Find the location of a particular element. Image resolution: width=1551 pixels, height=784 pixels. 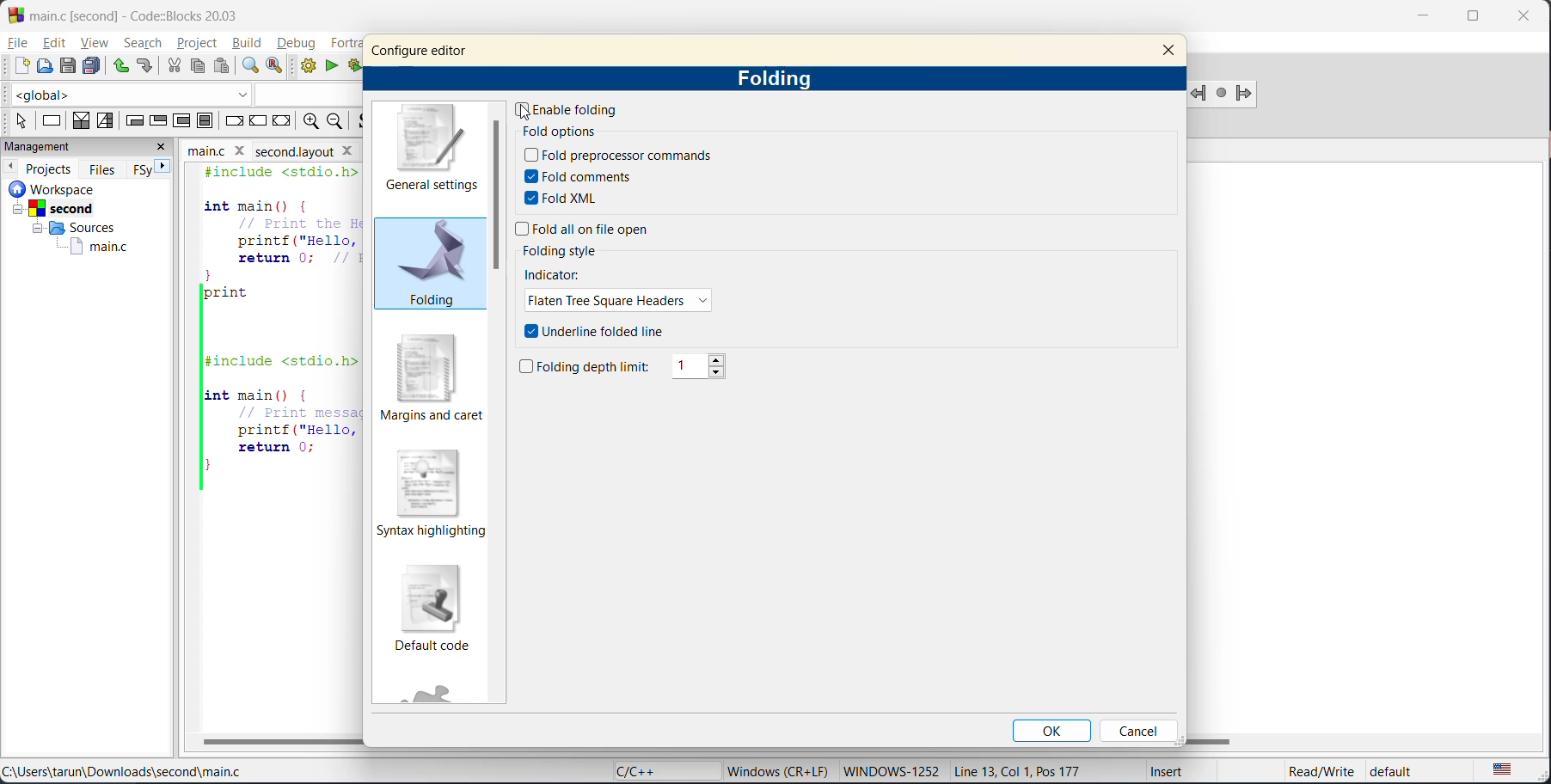

project is located at coordinates (197, 43).